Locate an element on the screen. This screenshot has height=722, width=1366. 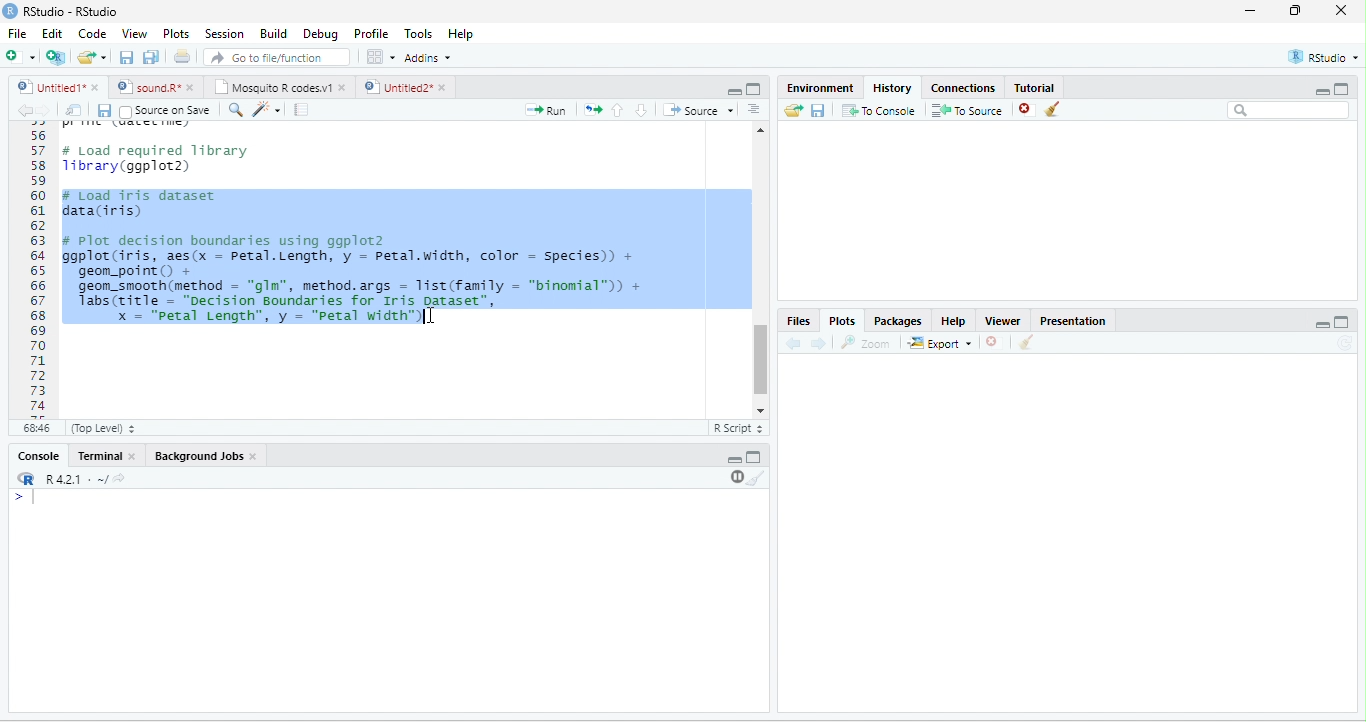
new file is located at coordinates (20, 56).